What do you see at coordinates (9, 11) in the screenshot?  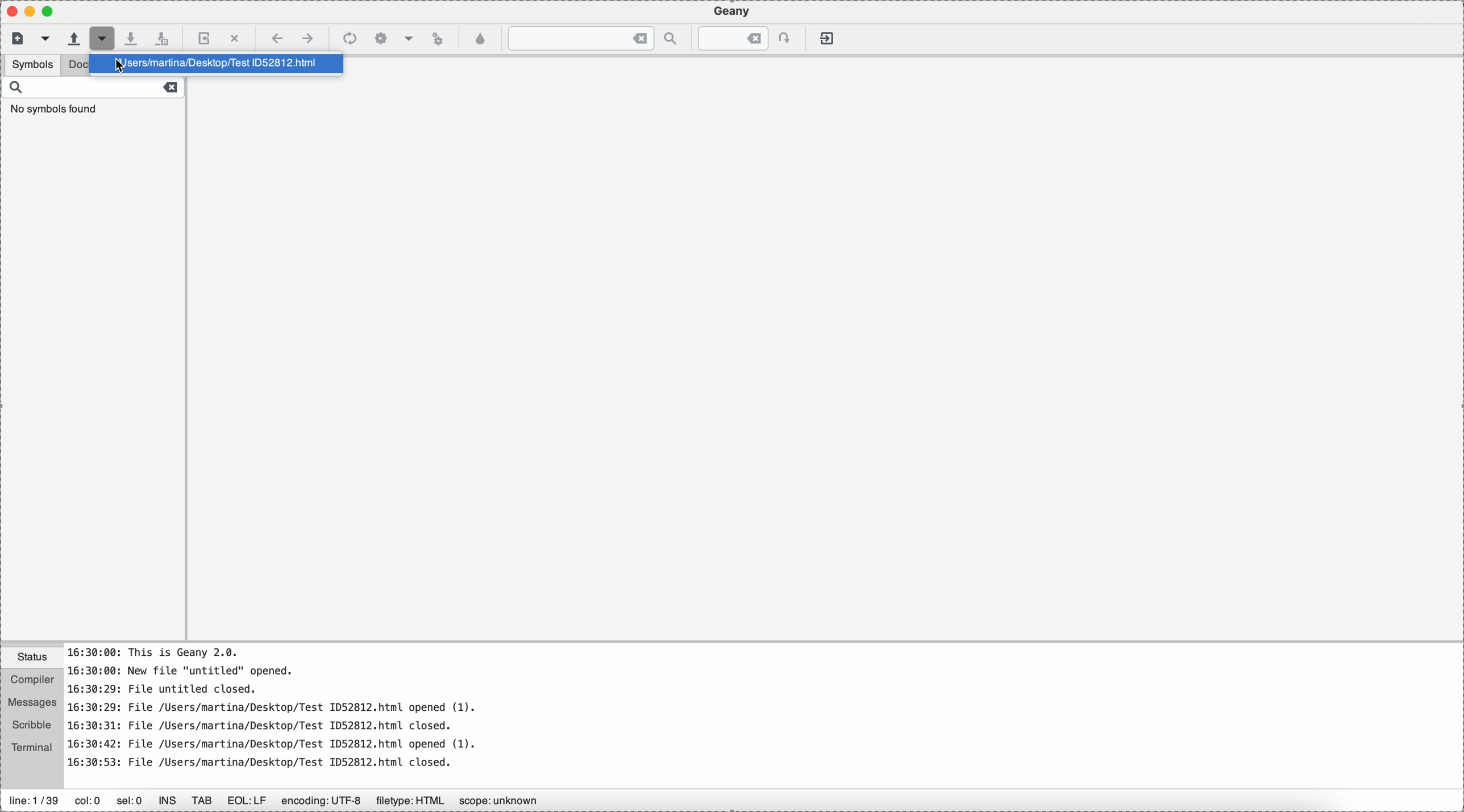 I see `close` at bounding box center [9, 11].